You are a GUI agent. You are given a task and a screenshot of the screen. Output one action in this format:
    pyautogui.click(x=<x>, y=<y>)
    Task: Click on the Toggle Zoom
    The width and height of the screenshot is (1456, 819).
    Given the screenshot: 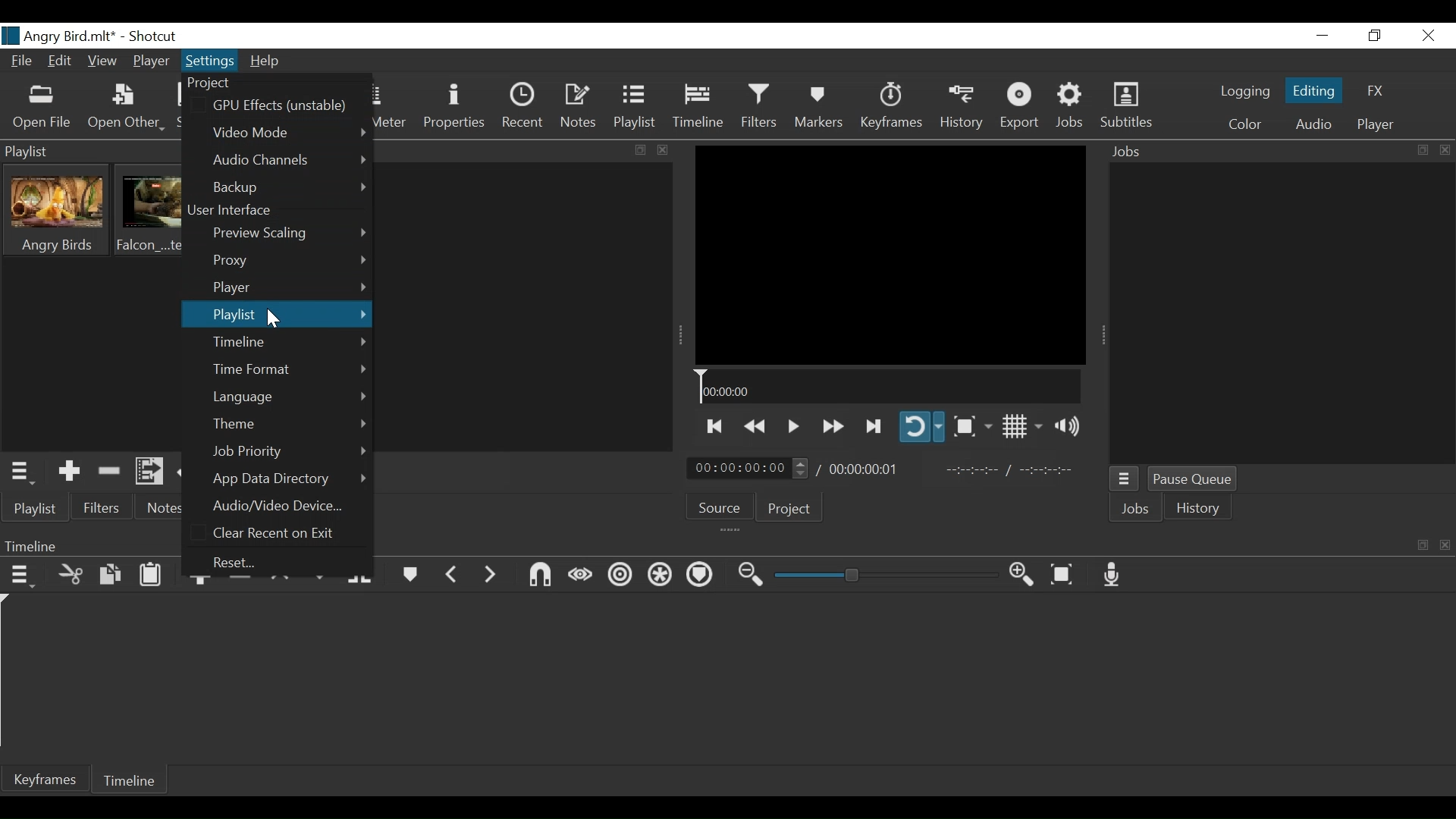 What is the action you would take?
    pyautogui.click(x=971, y=426)
    